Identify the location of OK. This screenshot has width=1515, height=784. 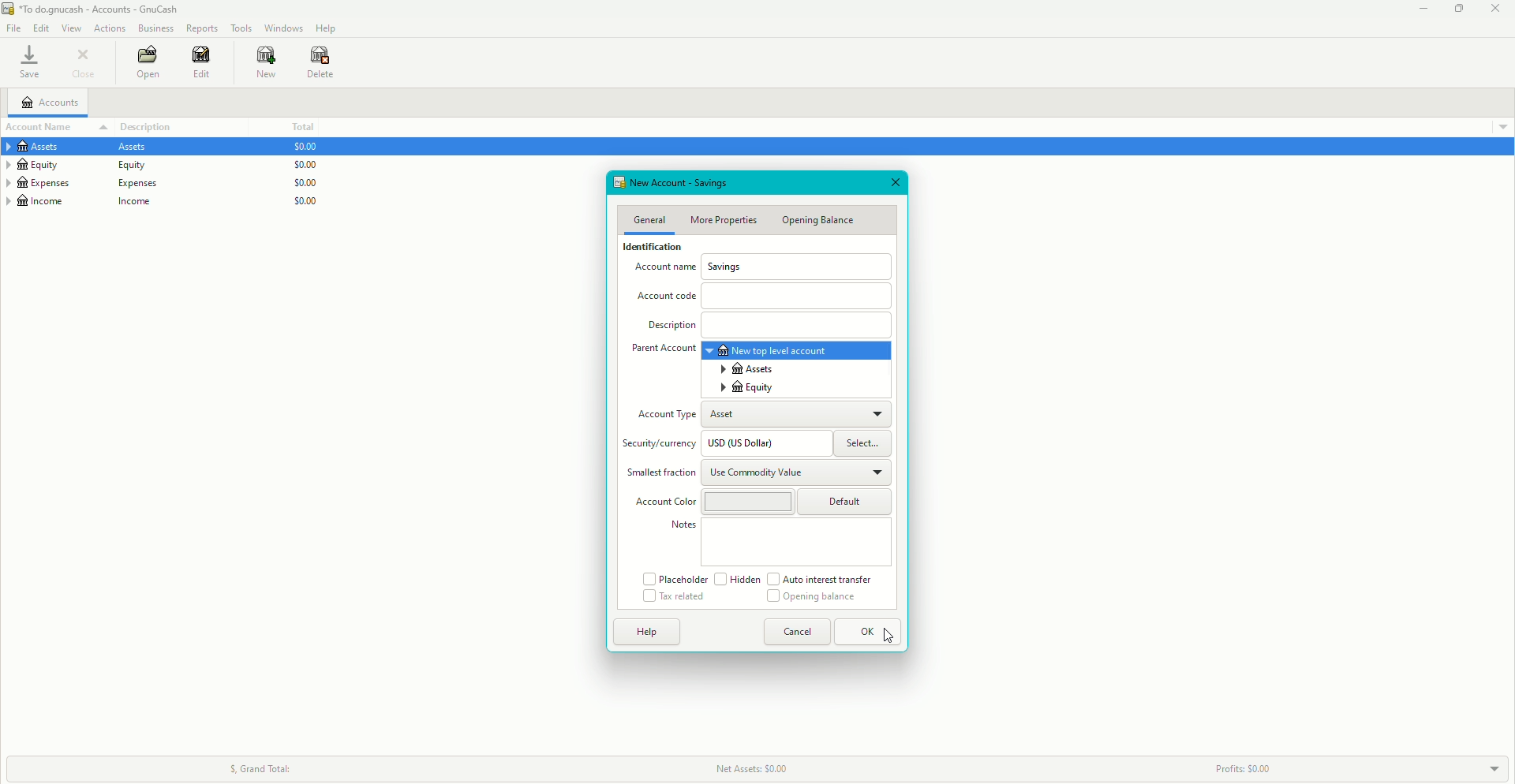
(870, 633).